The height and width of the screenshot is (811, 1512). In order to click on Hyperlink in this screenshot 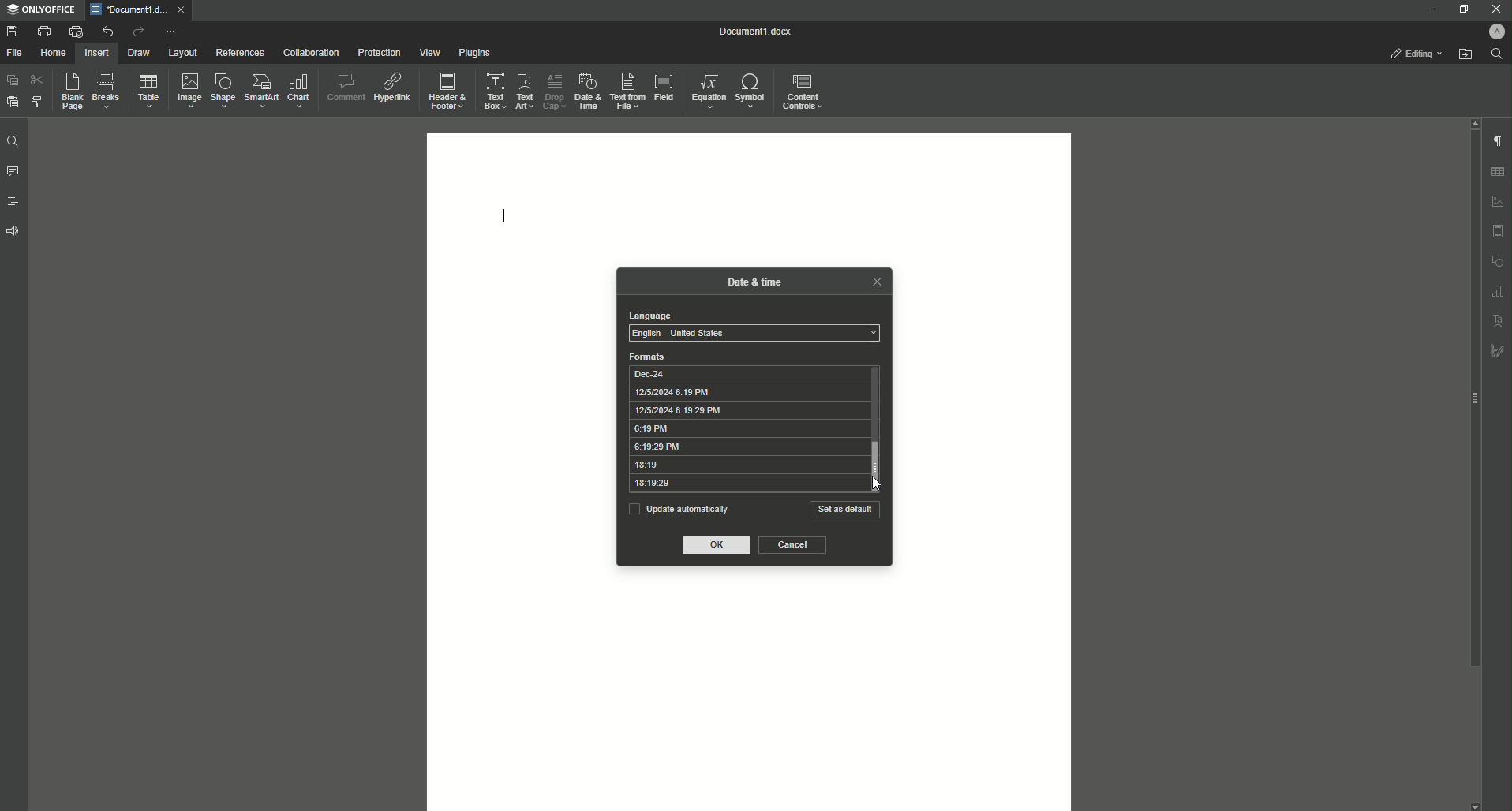, I will do `click(391, 84)`.